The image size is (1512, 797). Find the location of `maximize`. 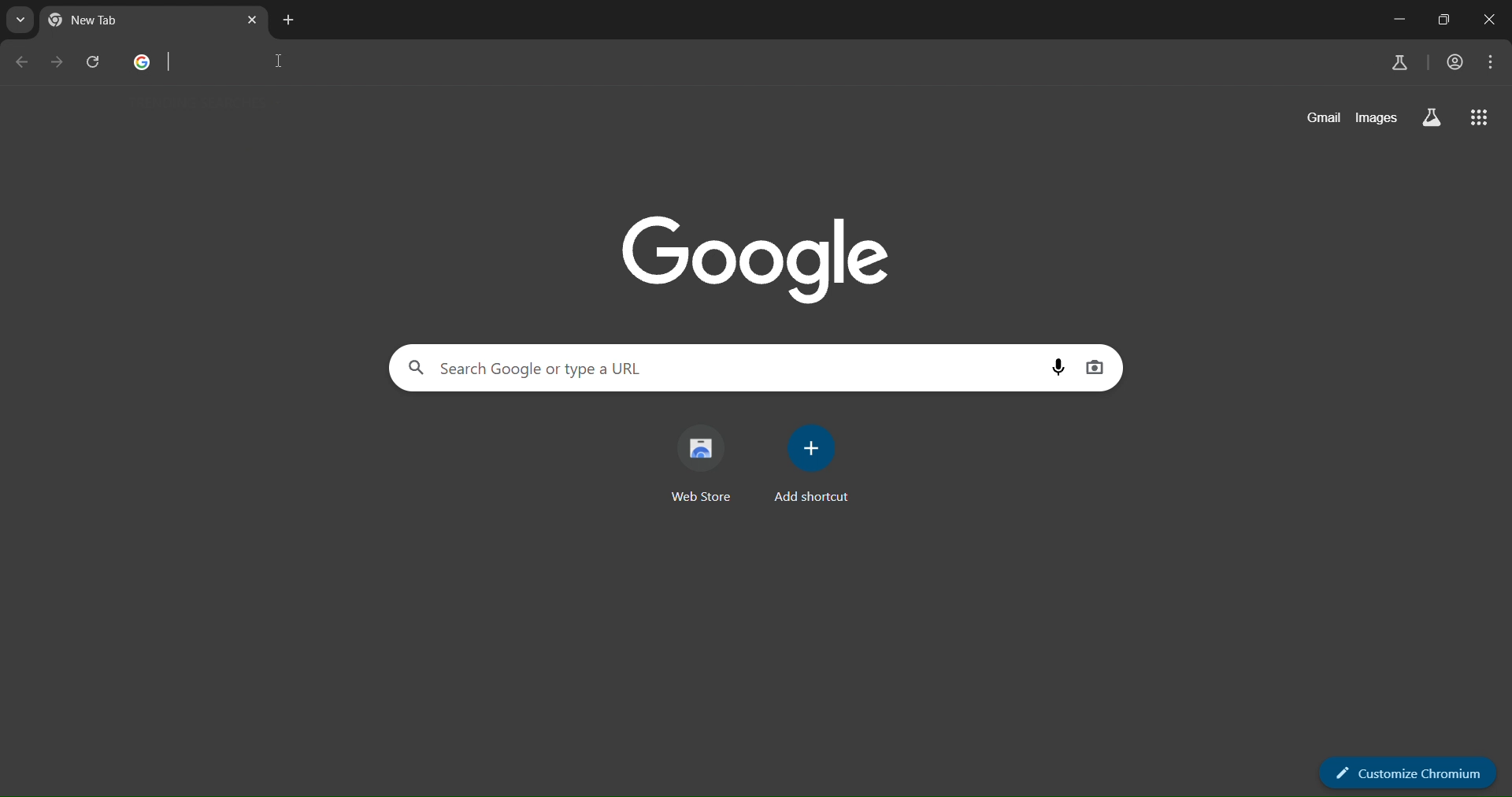

maximize is located at coordinates (1438, 20).